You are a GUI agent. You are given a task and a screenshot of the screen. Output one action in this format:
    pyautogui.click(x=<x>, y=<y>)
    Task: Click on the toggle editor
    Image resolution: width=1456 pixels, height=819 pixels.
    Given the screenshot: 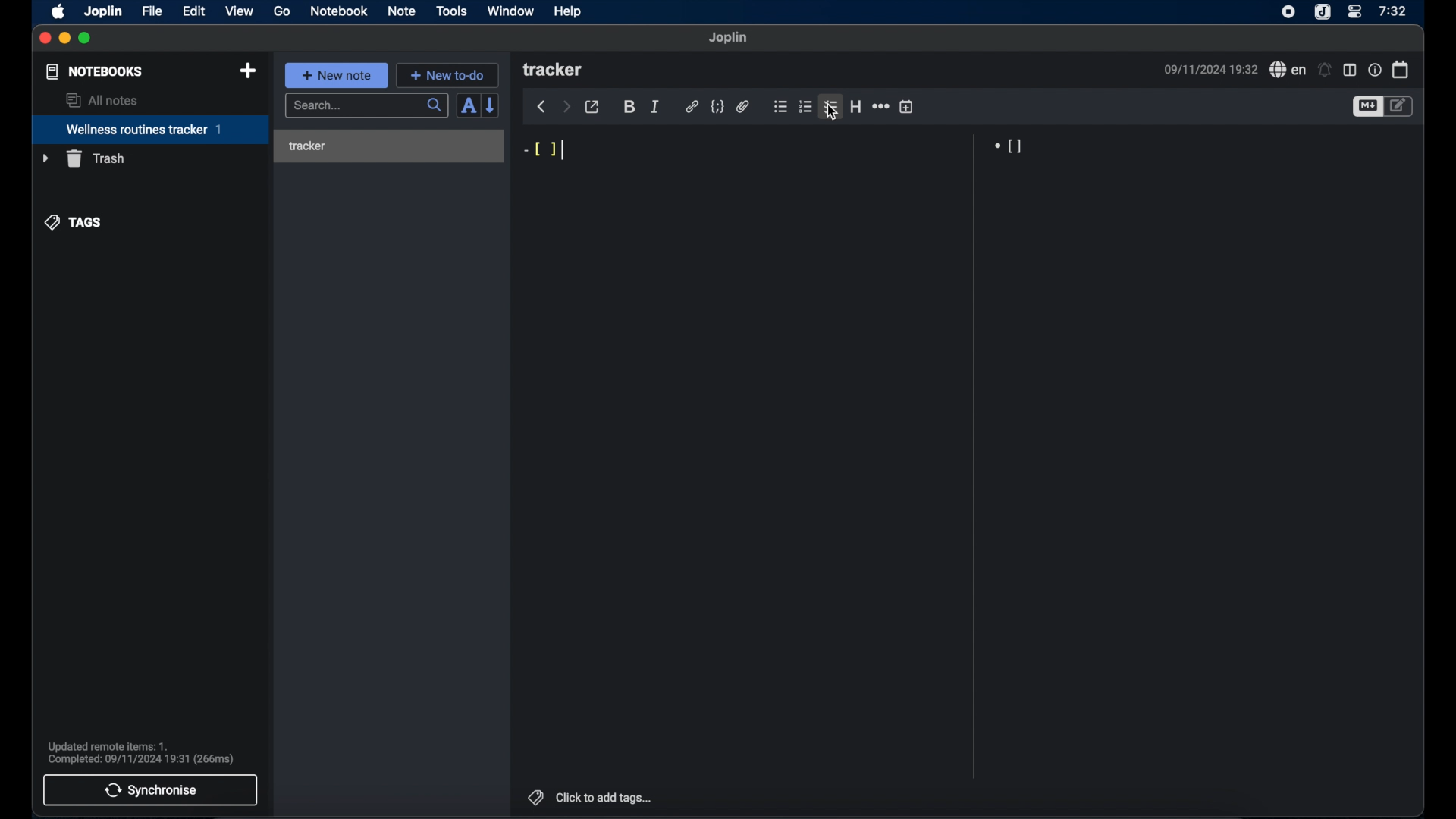 What is the action you would take?
    pyautogui.click(x=1401, y=107)
    